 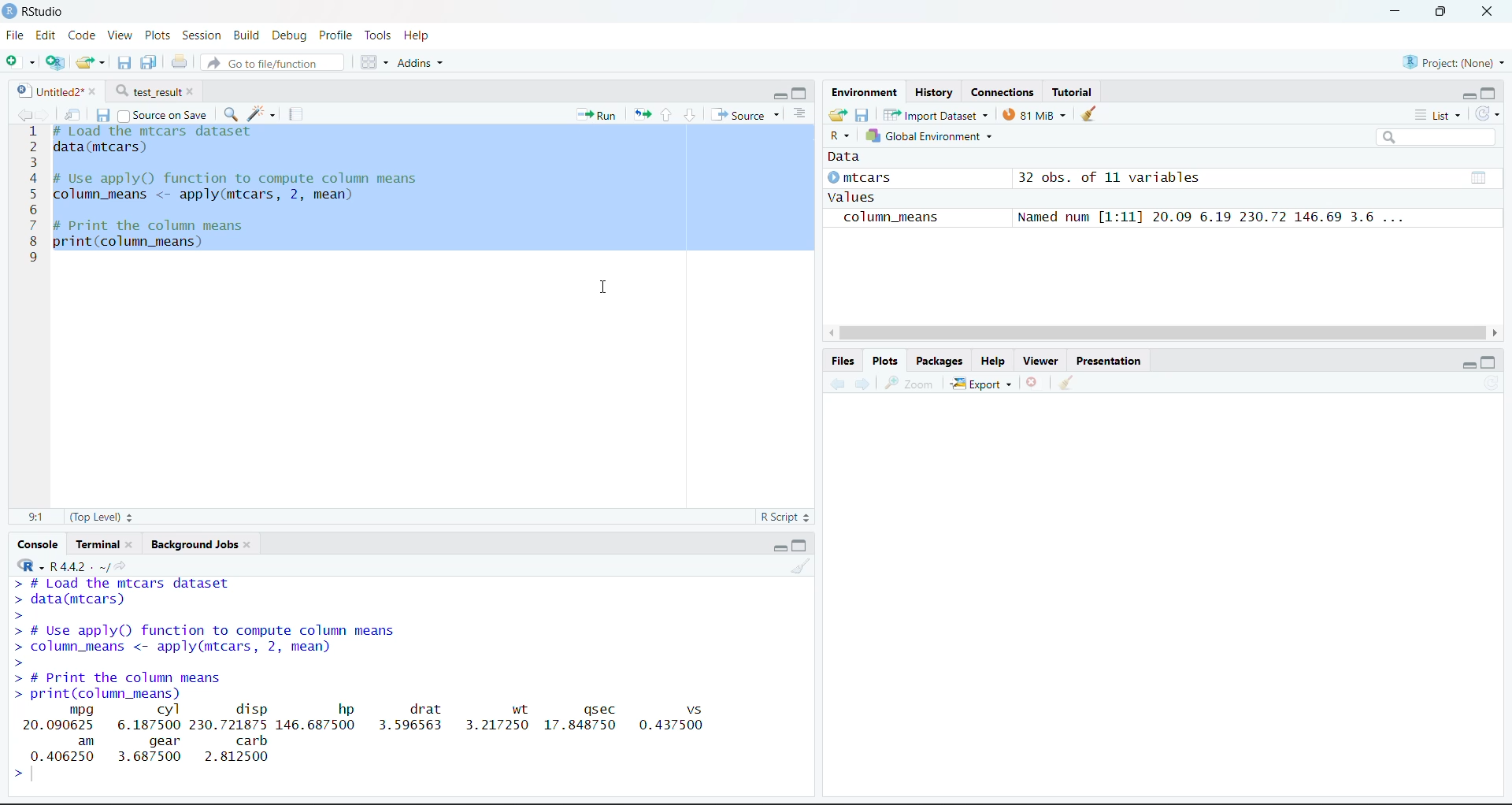 I want to click on 1:1, so click(x=37, y=517).